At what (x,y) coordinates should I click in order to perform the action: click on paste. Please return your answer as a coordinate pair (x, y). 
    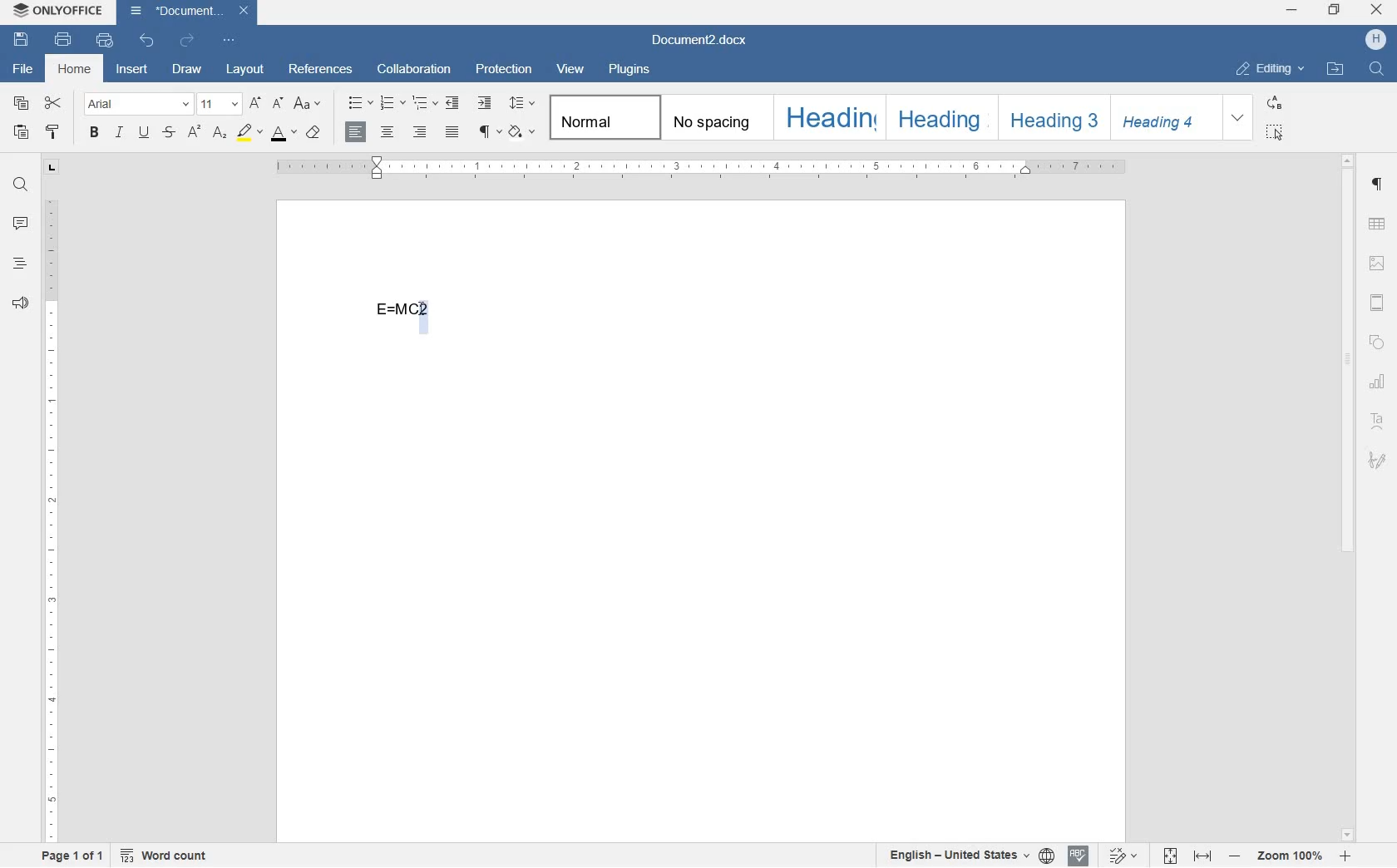
    Looking at the image, I should click on (23, 134).